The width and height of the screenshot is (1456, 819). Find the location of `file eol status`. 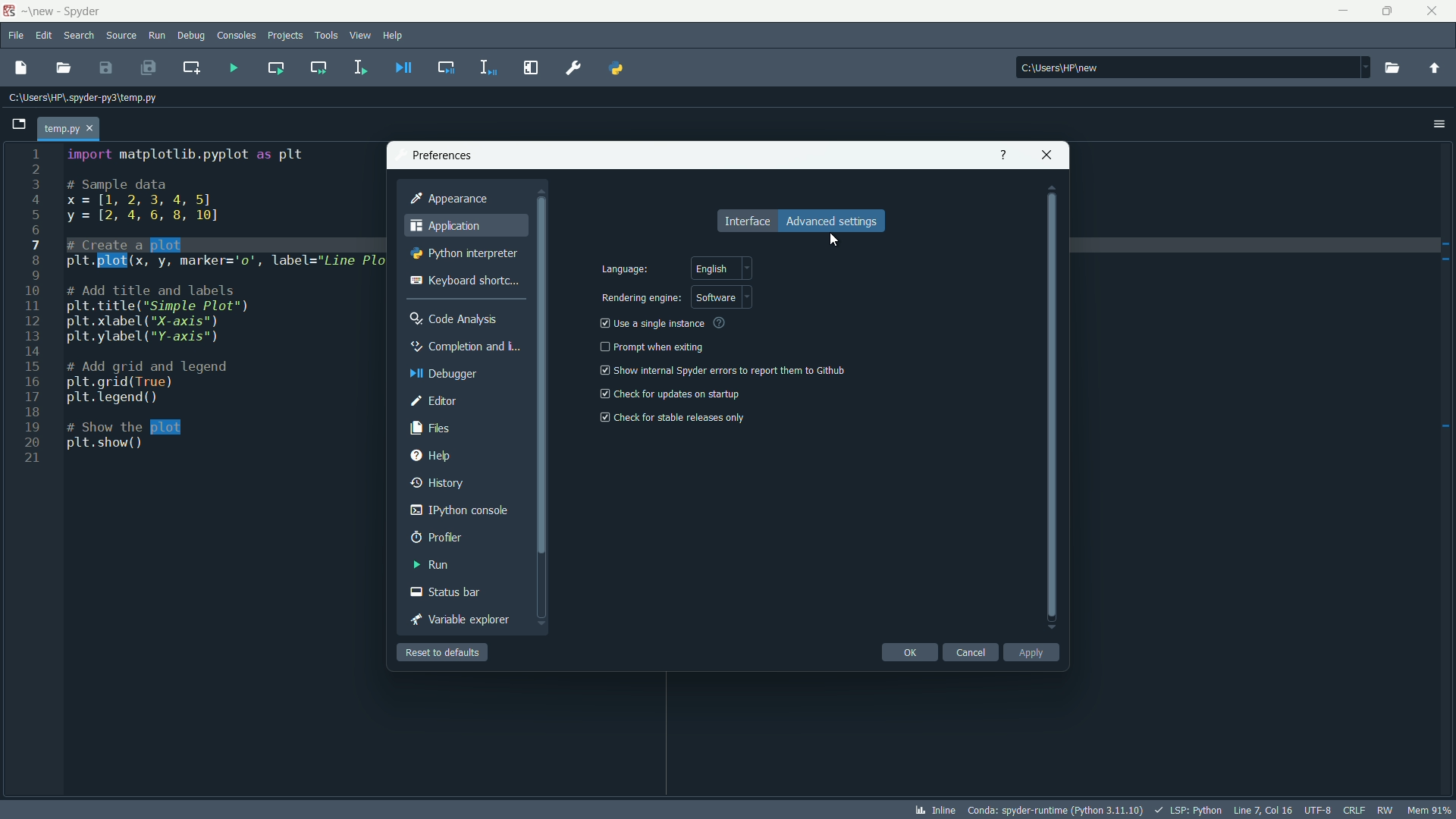

file eol status is located at coordinates (1355, 810).